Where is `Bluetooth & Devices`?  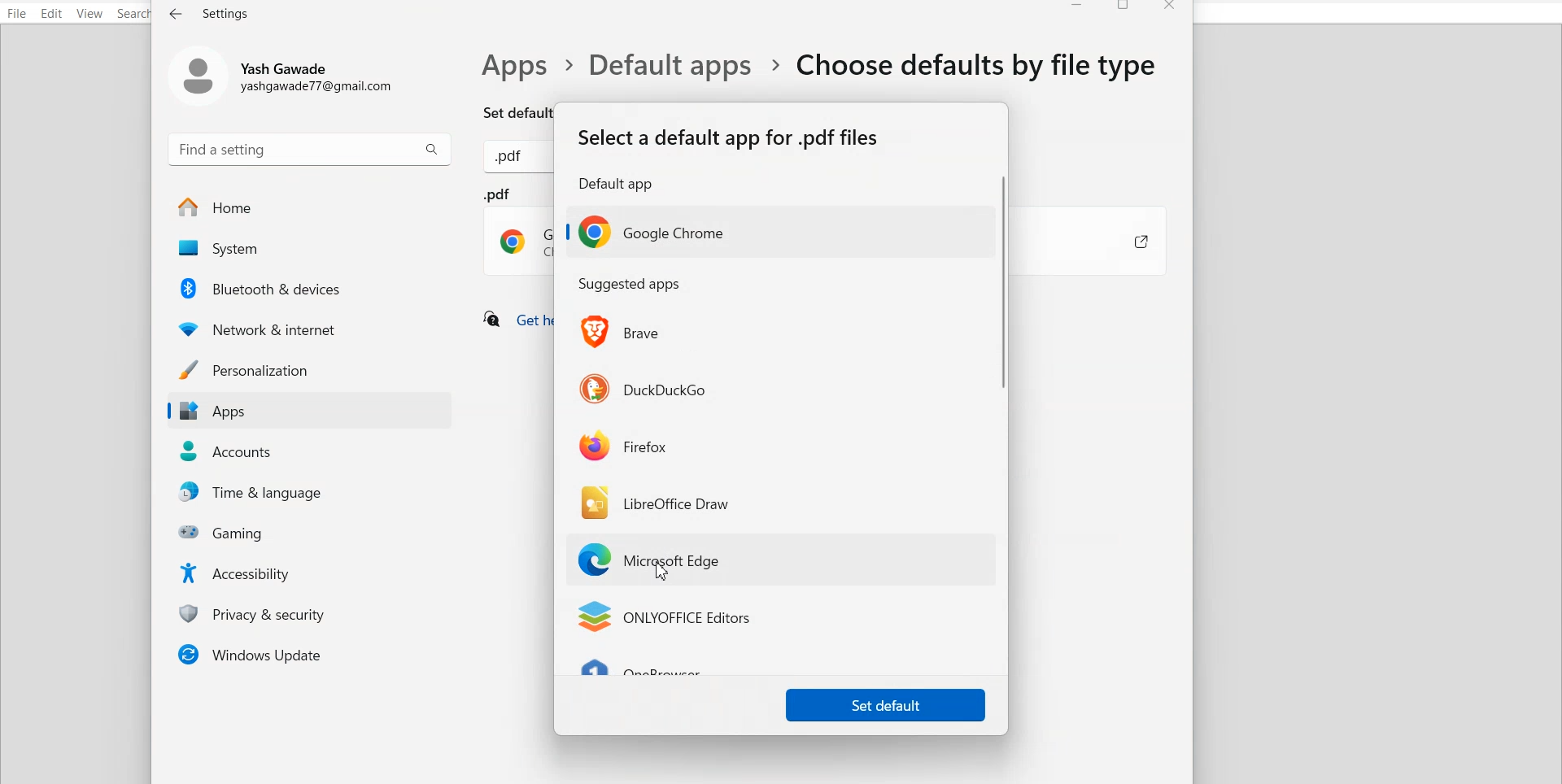 Bluetooth & Devices is located at coordinates (312, 288).